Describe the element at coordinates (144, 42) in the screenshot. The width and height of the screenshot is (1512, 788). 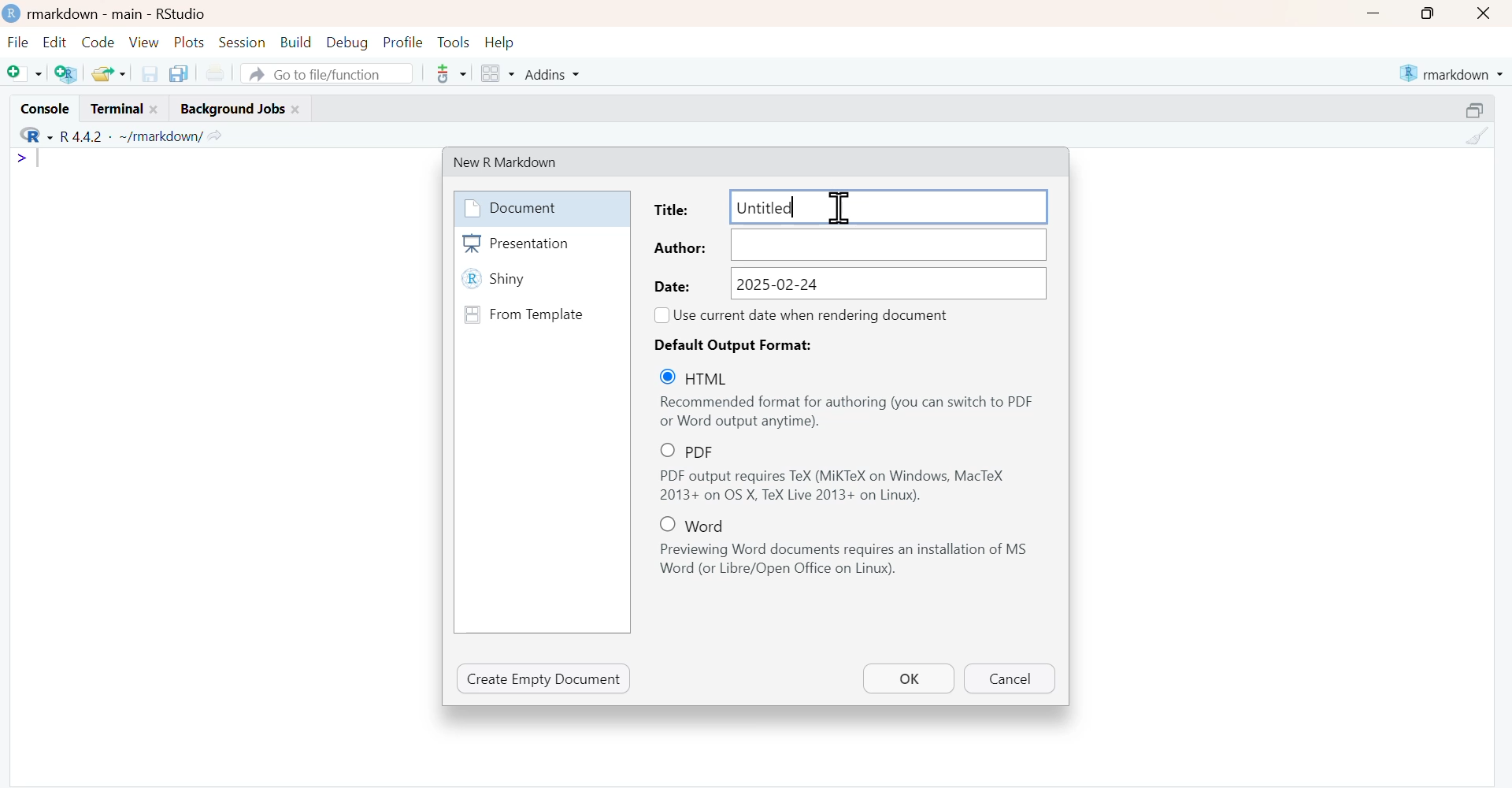
I see `View` at that location.